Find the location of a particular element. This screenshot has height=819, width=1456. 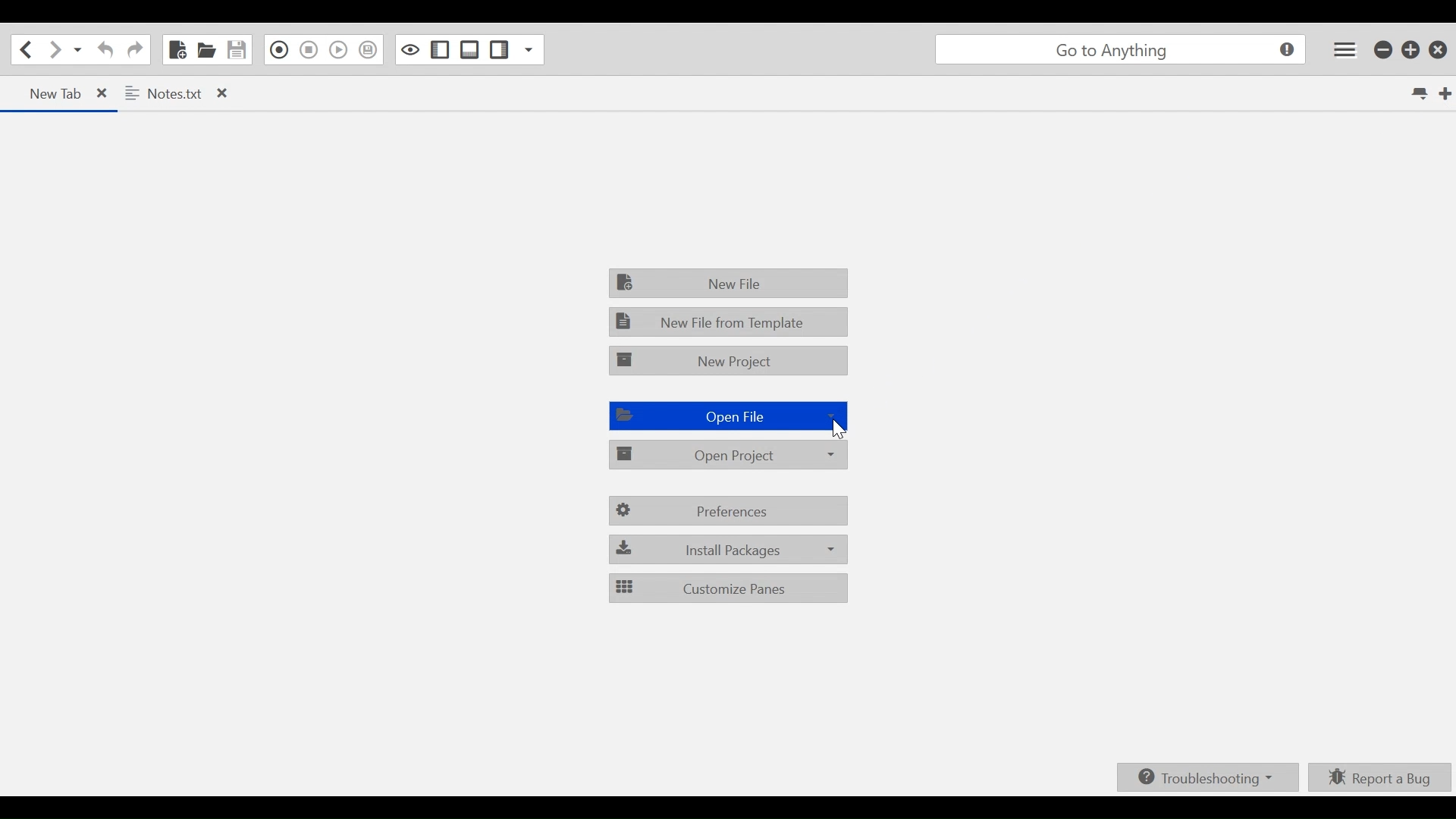

Recording in Macro is located at coordinates (276, 50).